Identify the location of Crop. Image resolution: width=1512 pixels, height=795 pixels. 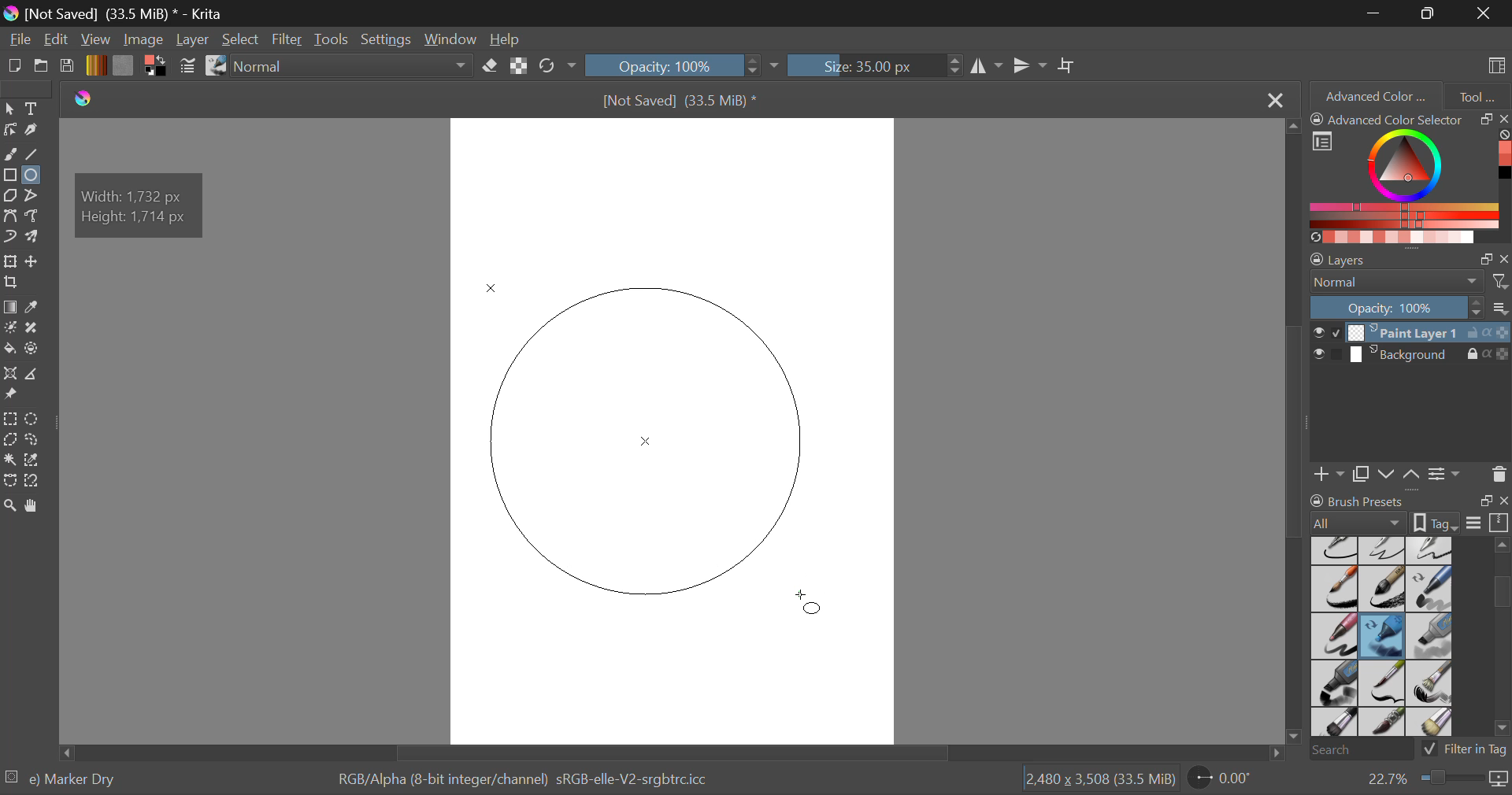
(1069, 66).